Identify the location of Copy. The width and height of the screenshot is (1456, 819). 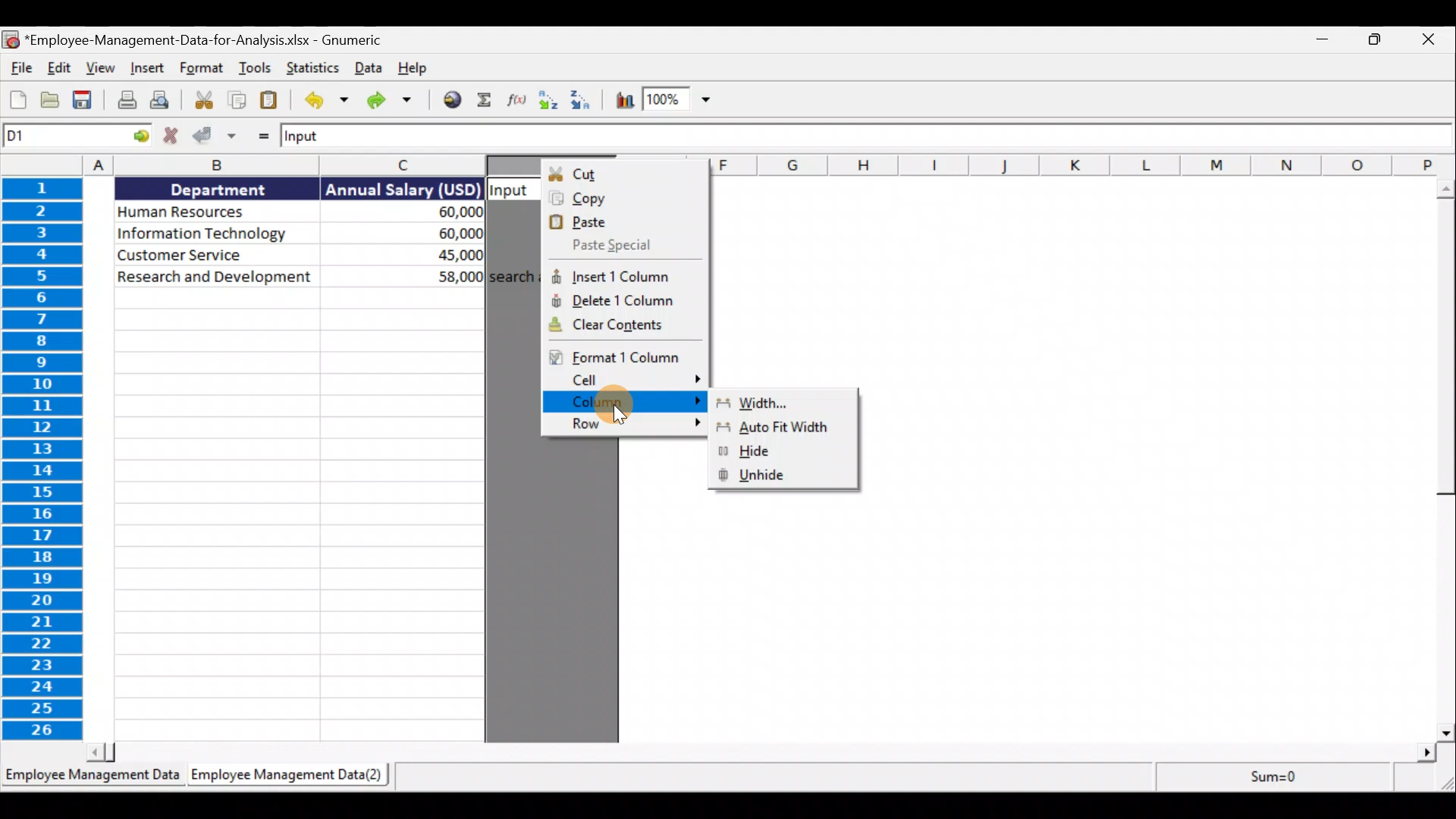
(626, 199).